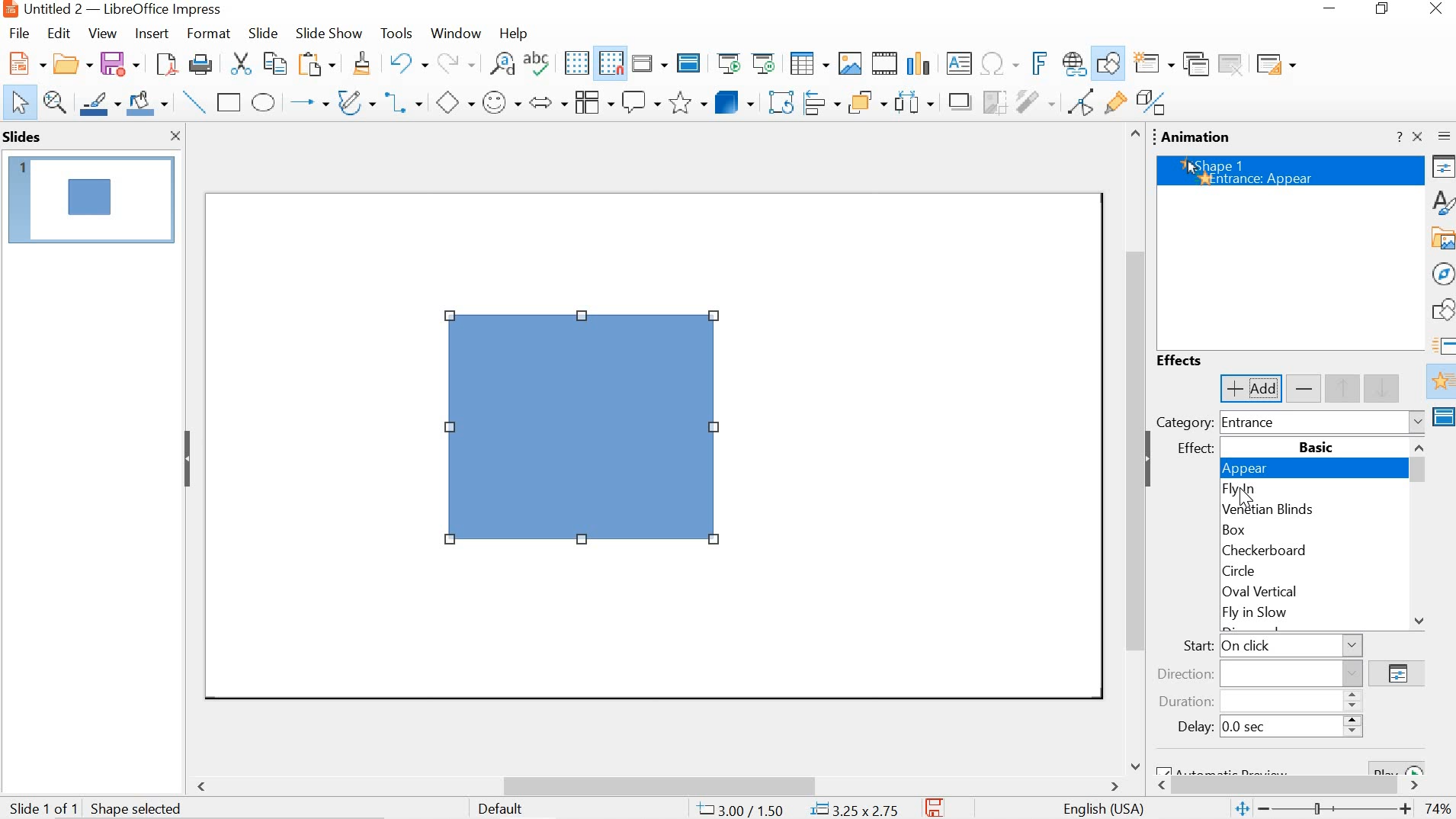  I want to click on 3D objects, so click(734, 101).